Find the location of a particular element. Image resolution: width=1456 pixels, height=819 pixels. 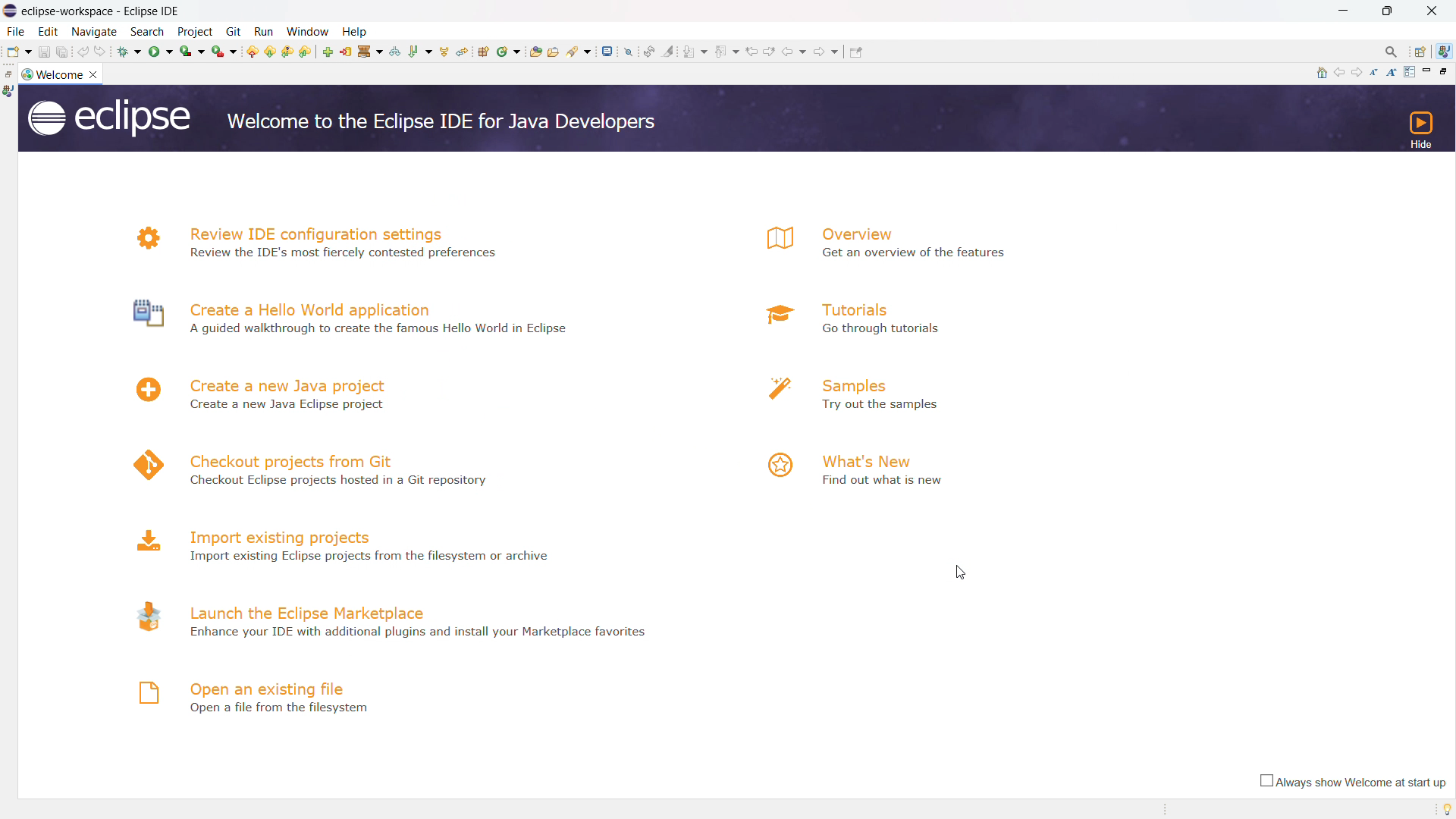

stash away changes is located at coordinates (369, 51).